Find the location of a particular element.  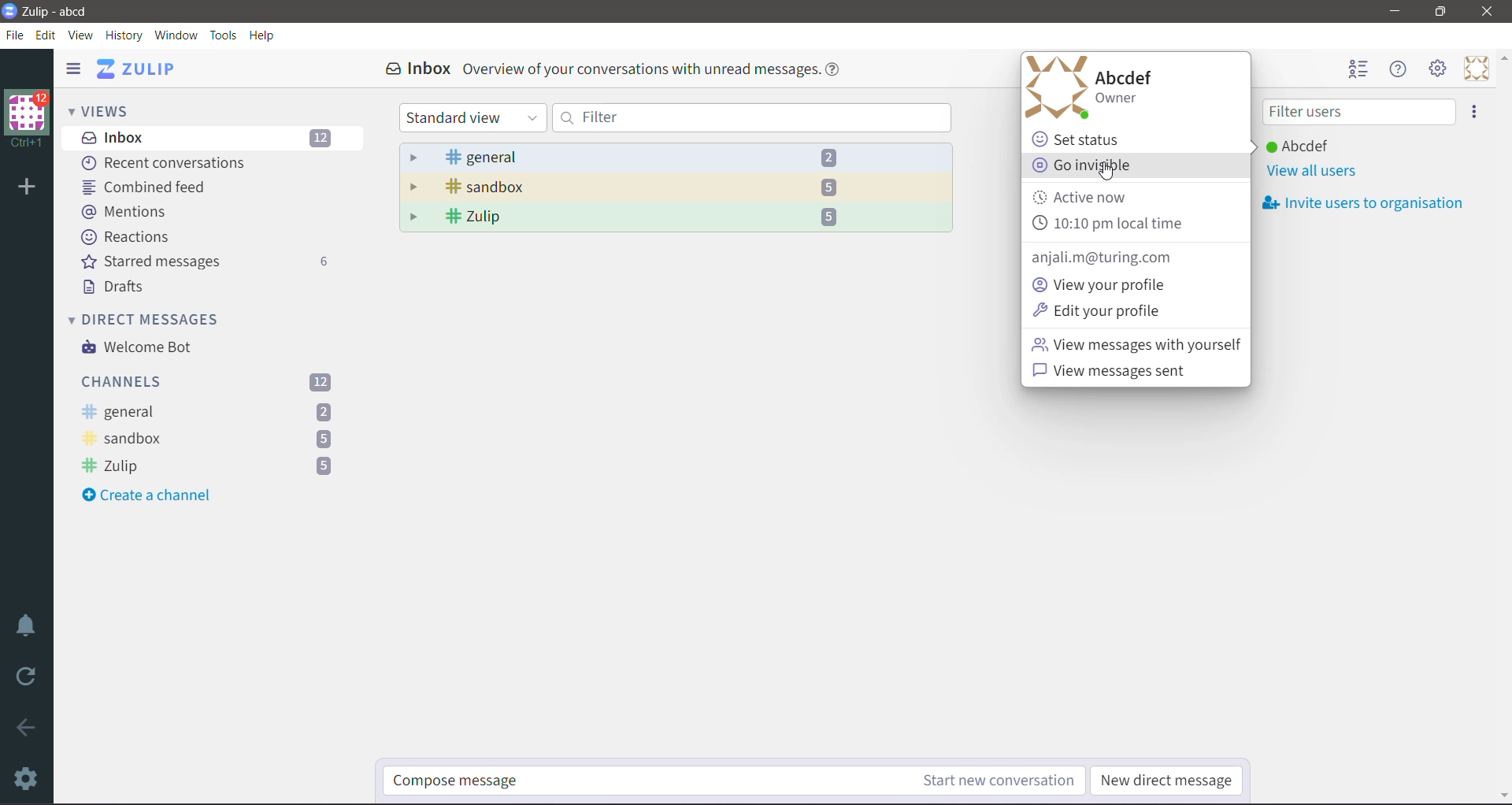

Recent Conversations is located at coordinates (172, 162).